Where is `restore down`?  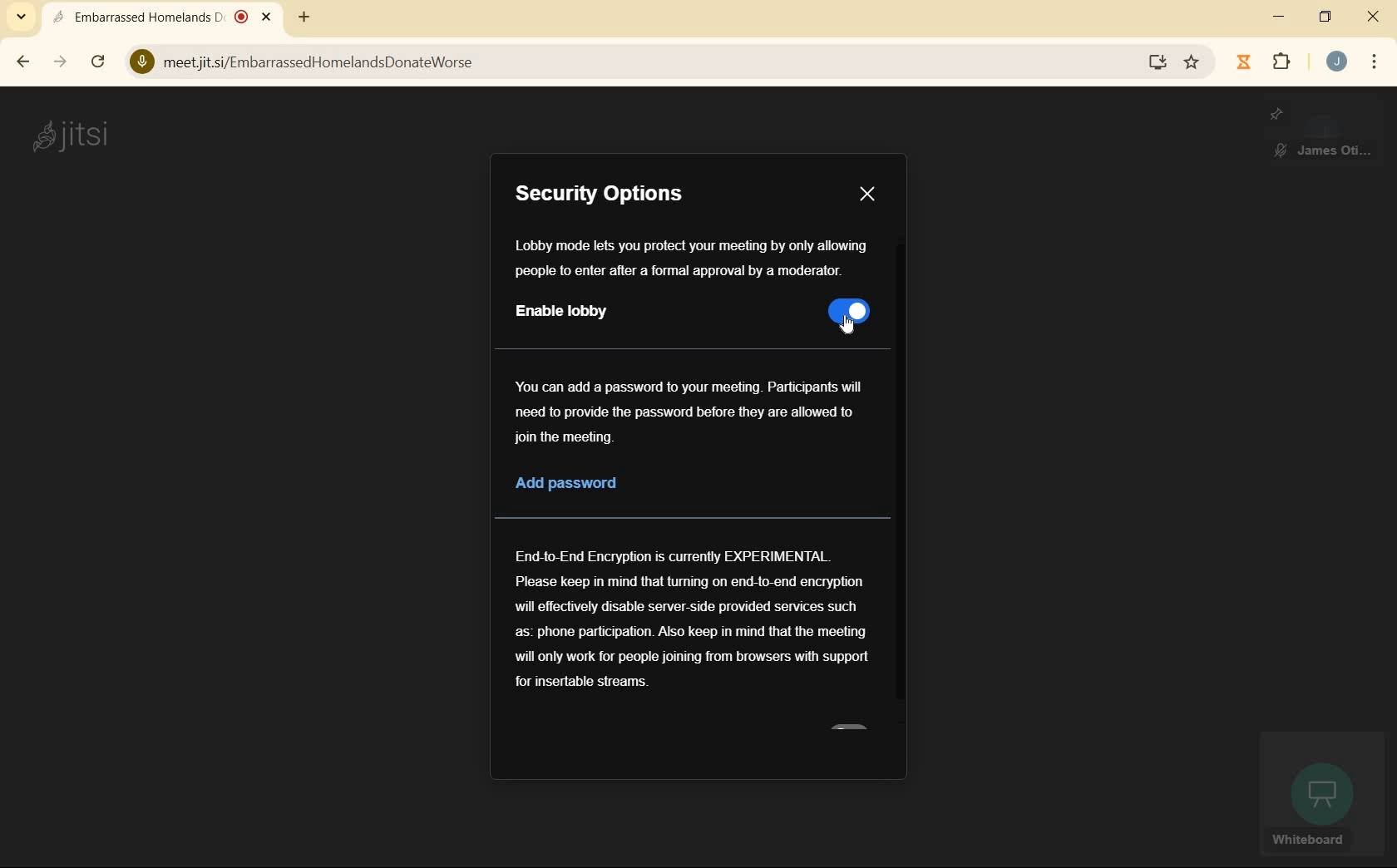
restore down is located at coordinates (1325, 17).